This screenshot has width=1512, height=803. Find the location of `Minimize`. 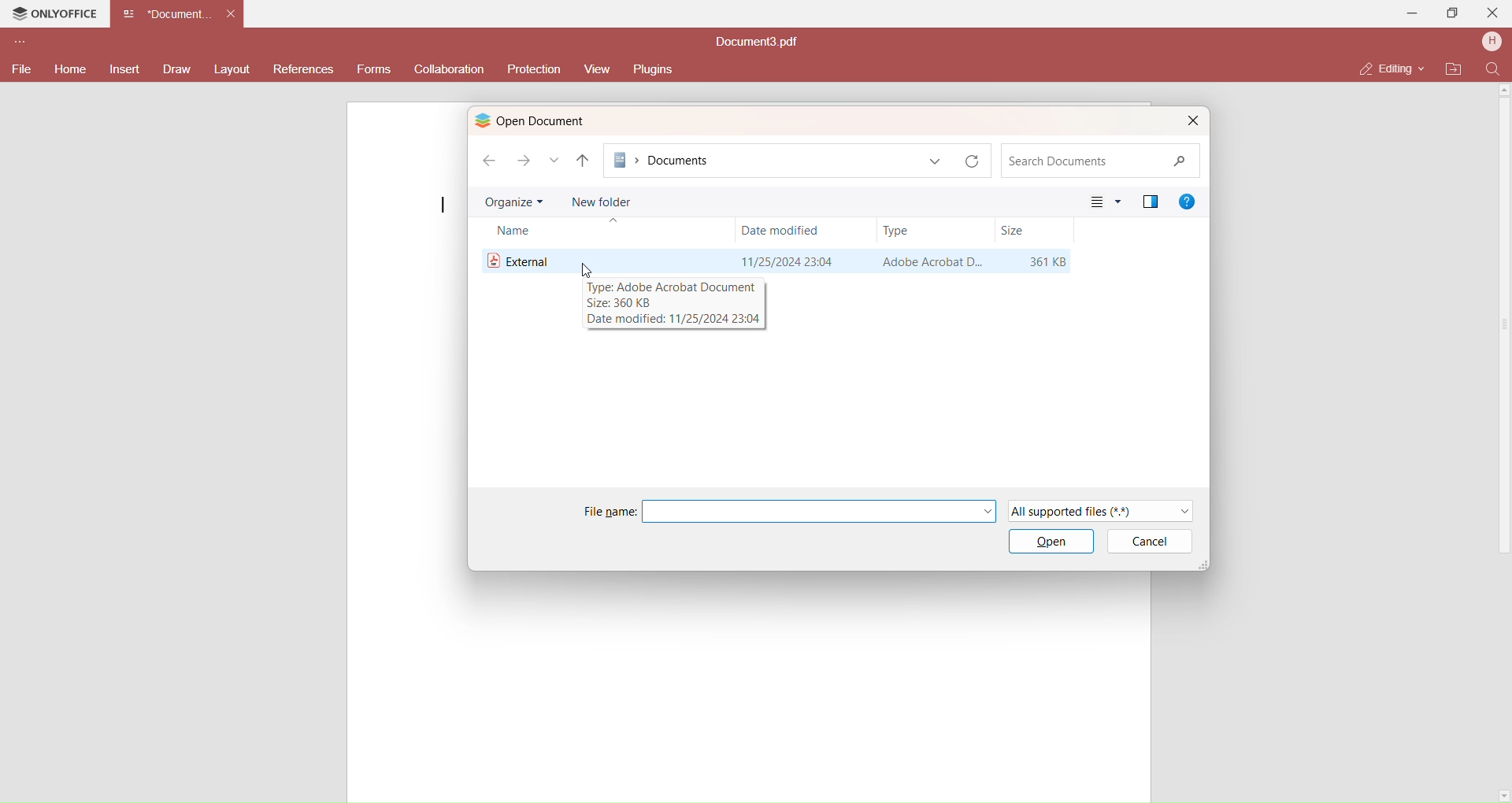

Minimize is located at coordinates (1413, 13).